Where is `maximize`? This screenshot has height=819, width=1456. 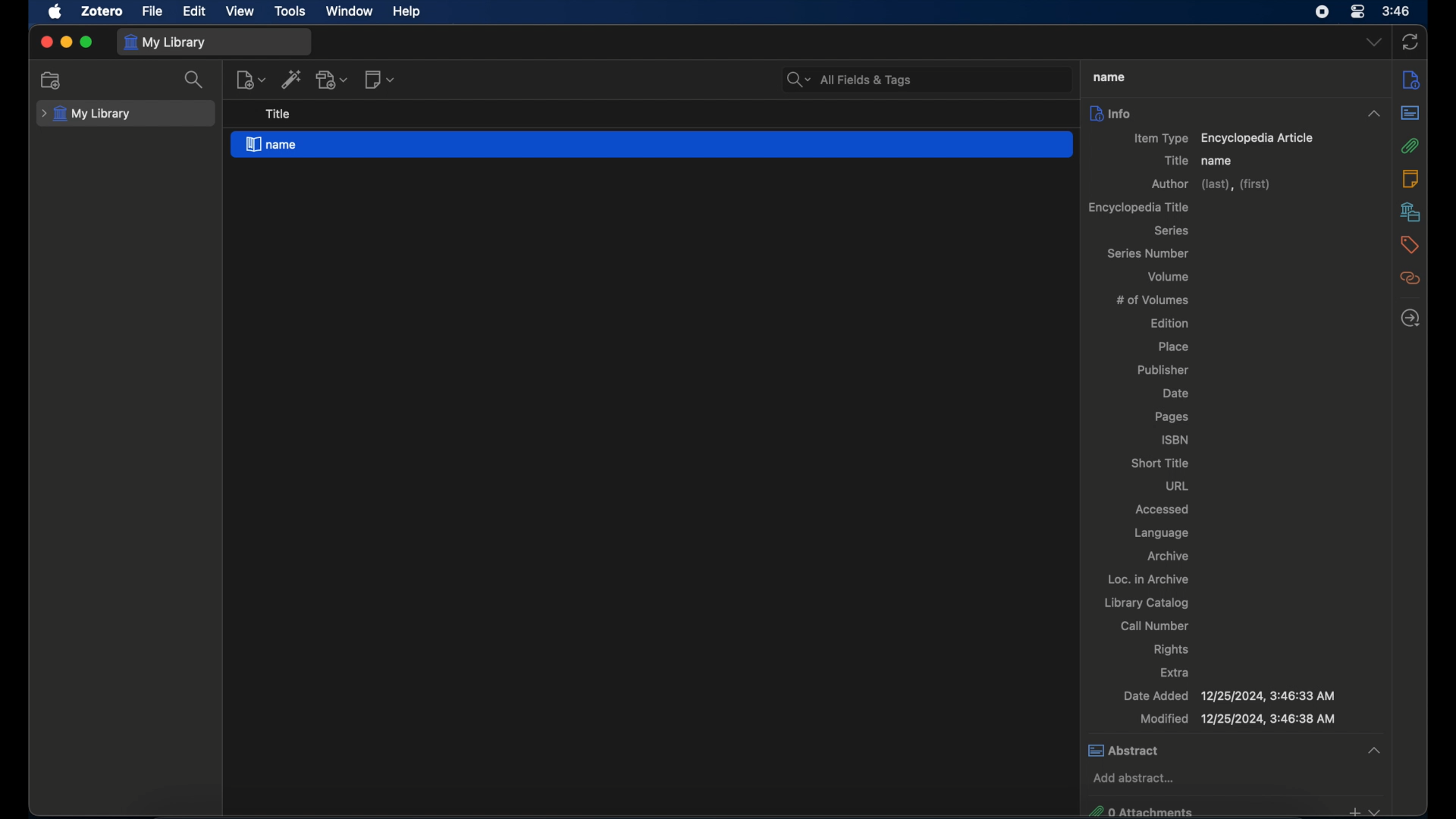
maximize is located at coordinates (86, 42).